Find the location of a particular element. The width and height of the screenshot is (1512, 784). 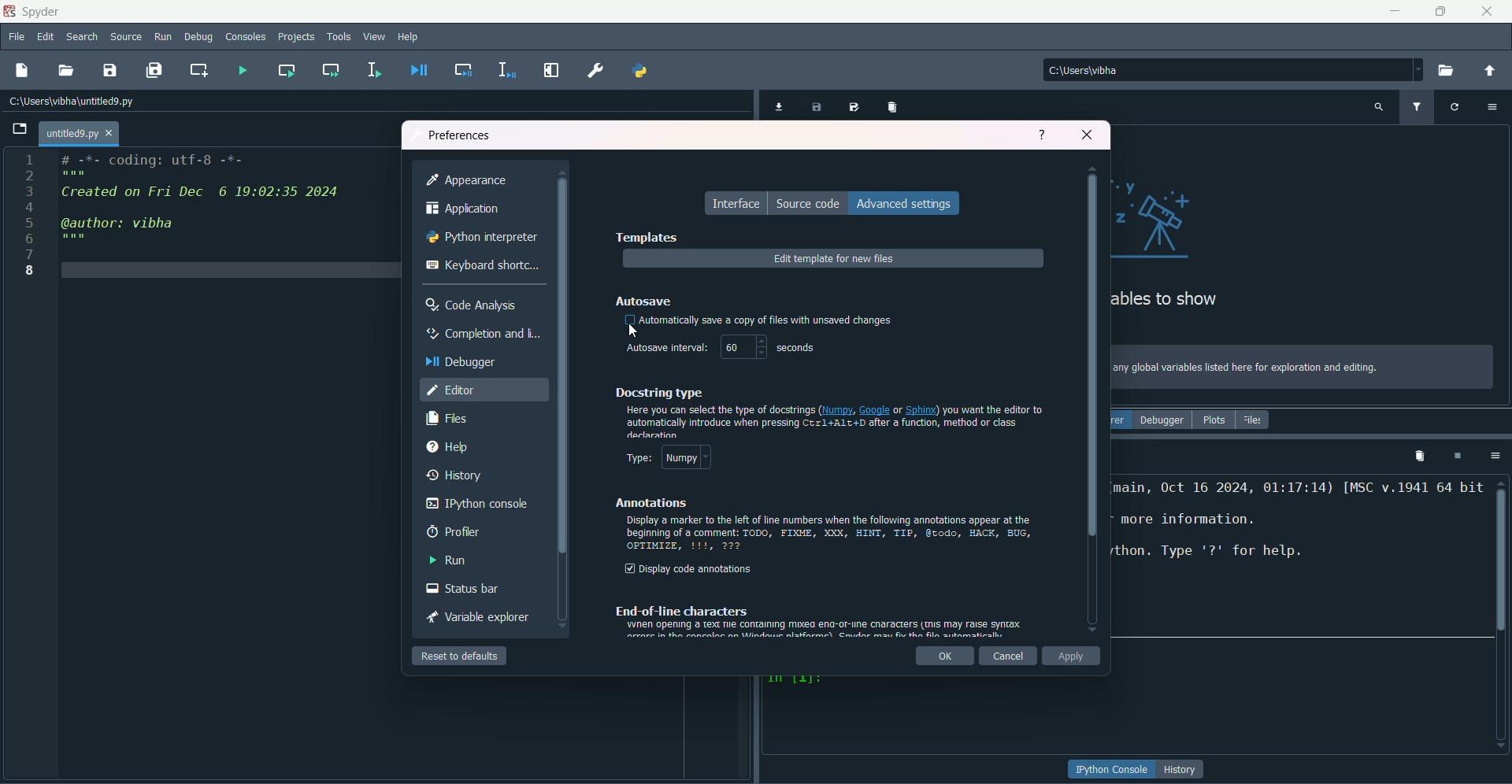

save data is located at coordinates (817, 109).